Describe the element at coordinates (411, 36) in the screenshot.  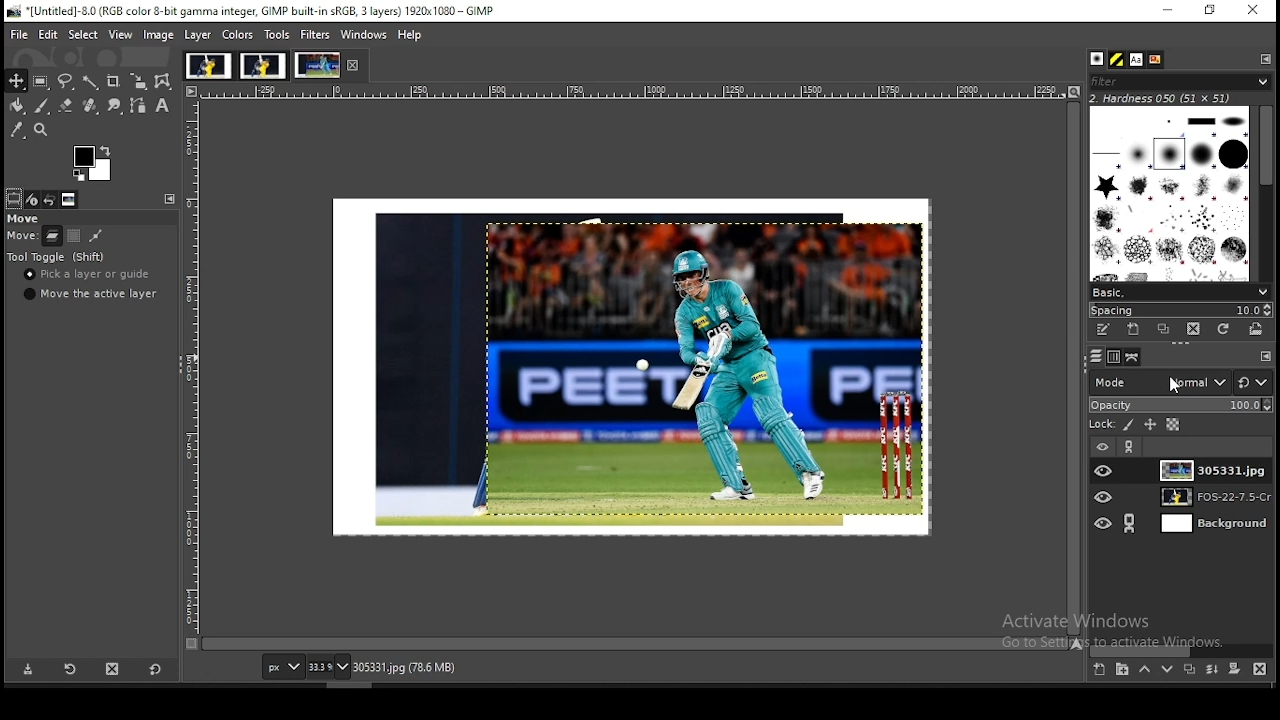
I see `help` at that location.